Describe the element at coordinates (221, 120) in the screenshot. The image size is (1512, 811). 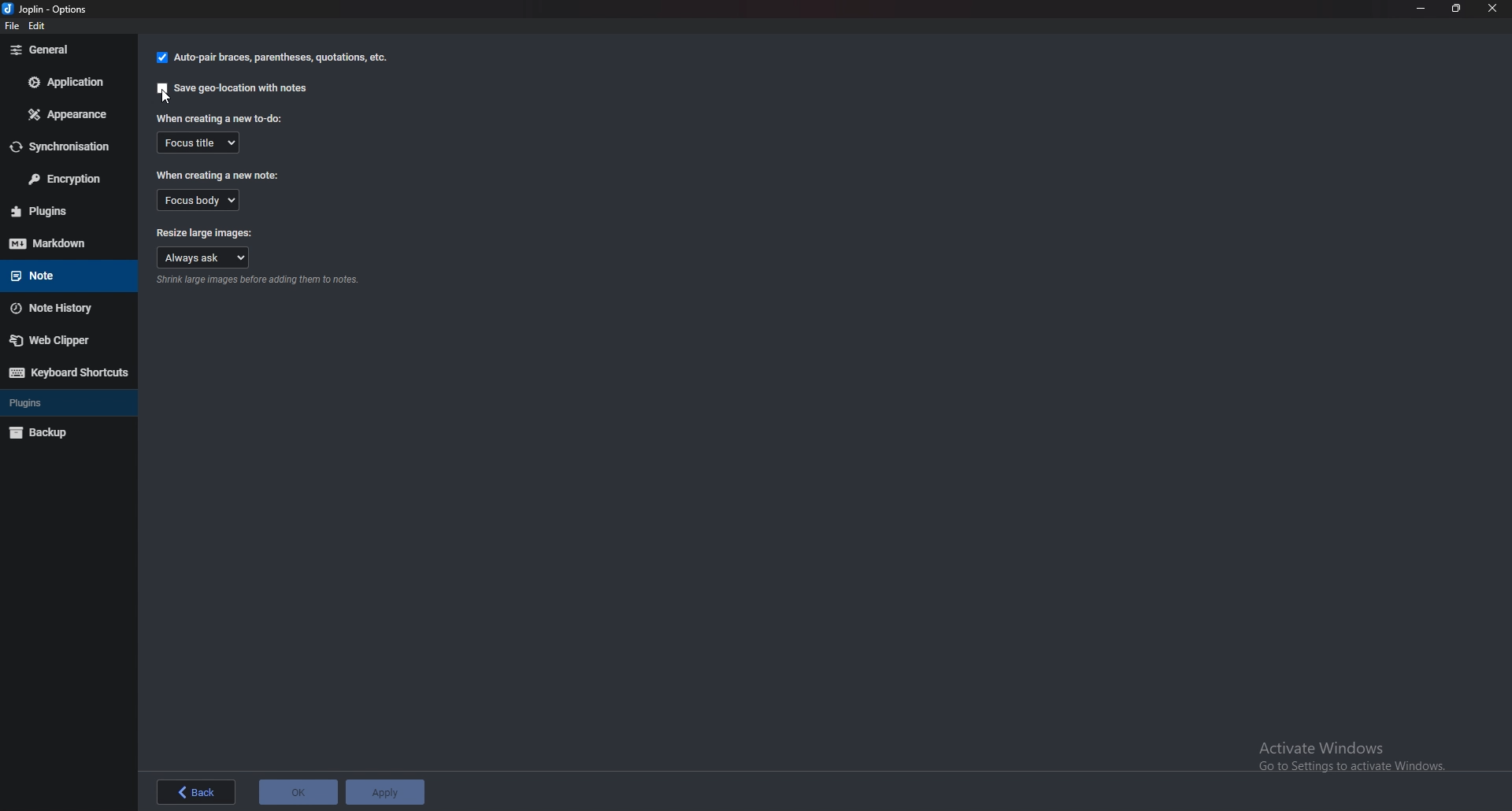
I see `When creating a new to do` at that location.